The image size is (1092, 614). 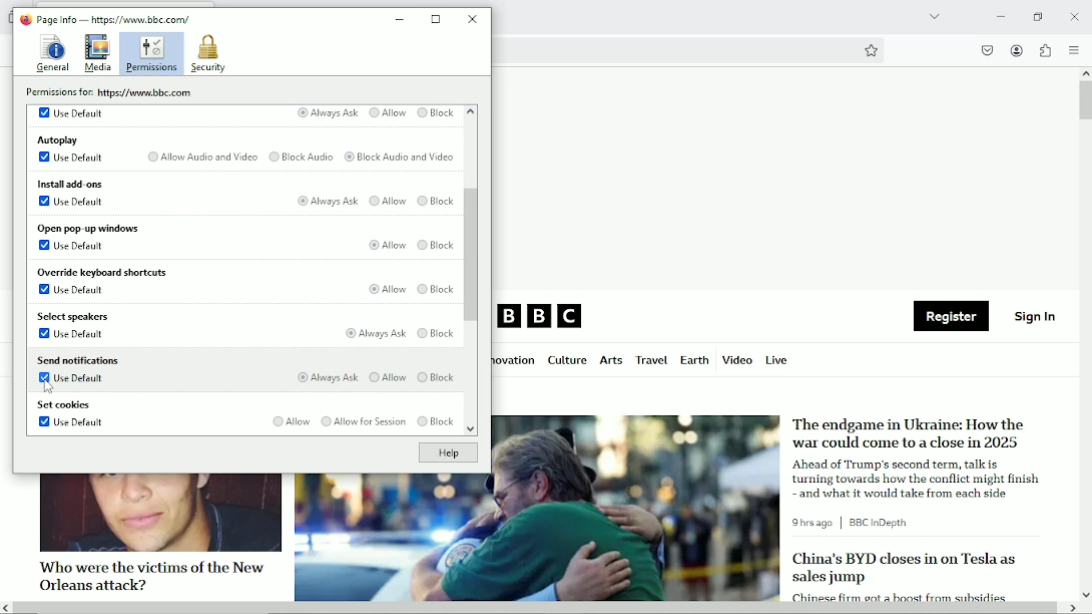 I want to click on Use default, so click(x=73, y=335).